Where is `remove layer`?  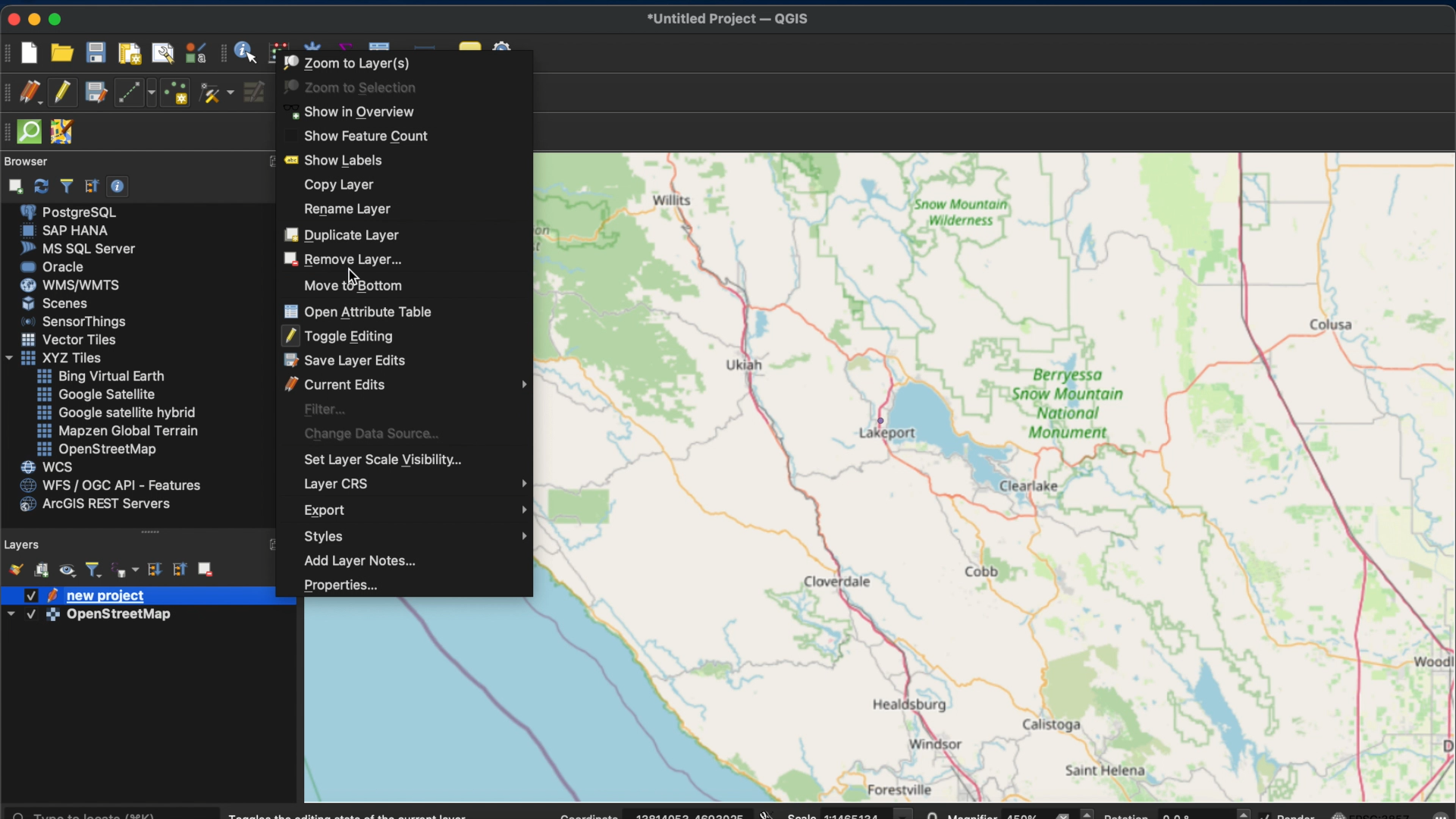
remove layer is located at coordinates (340, 258).